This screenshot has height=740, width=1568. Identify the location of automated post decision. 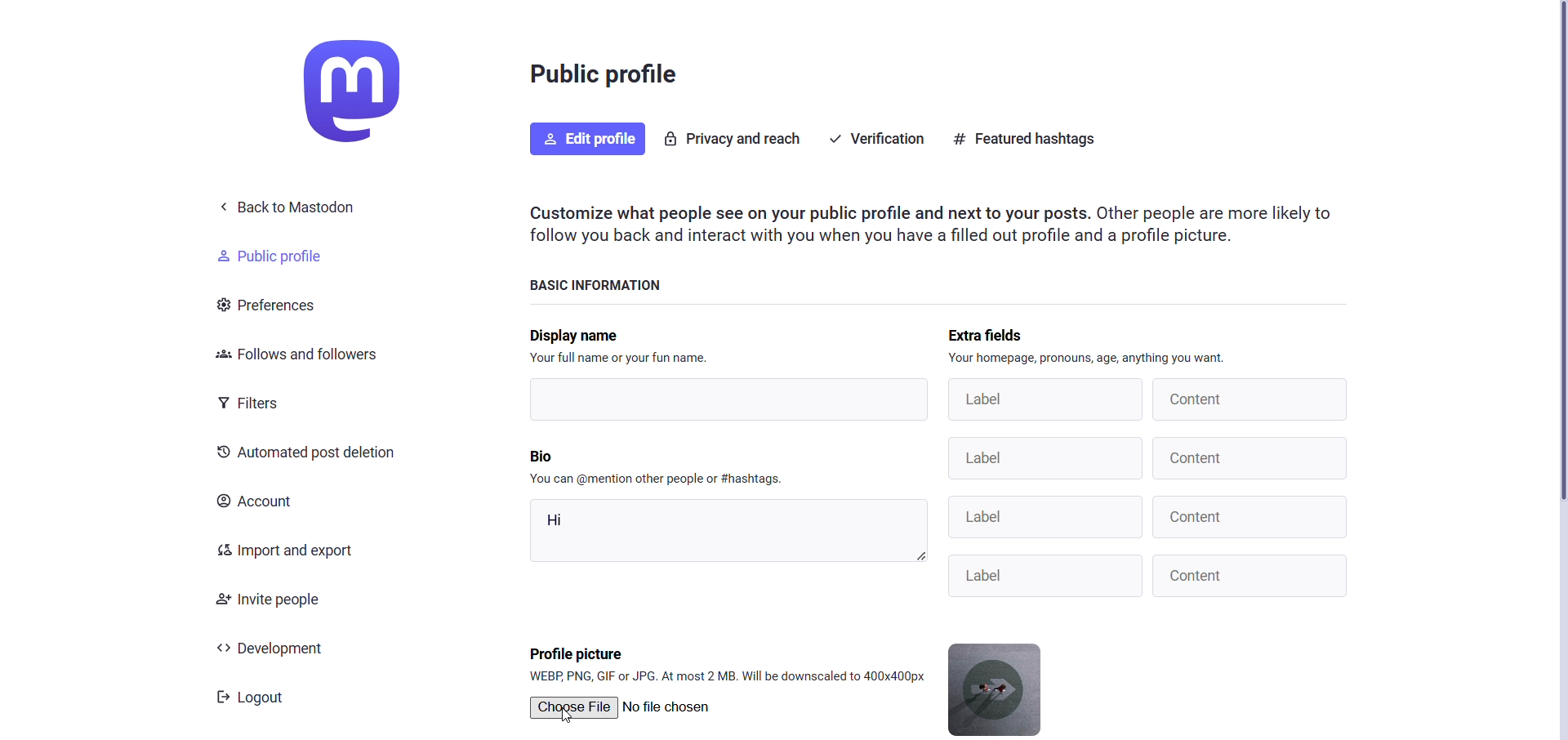
(309, 452).